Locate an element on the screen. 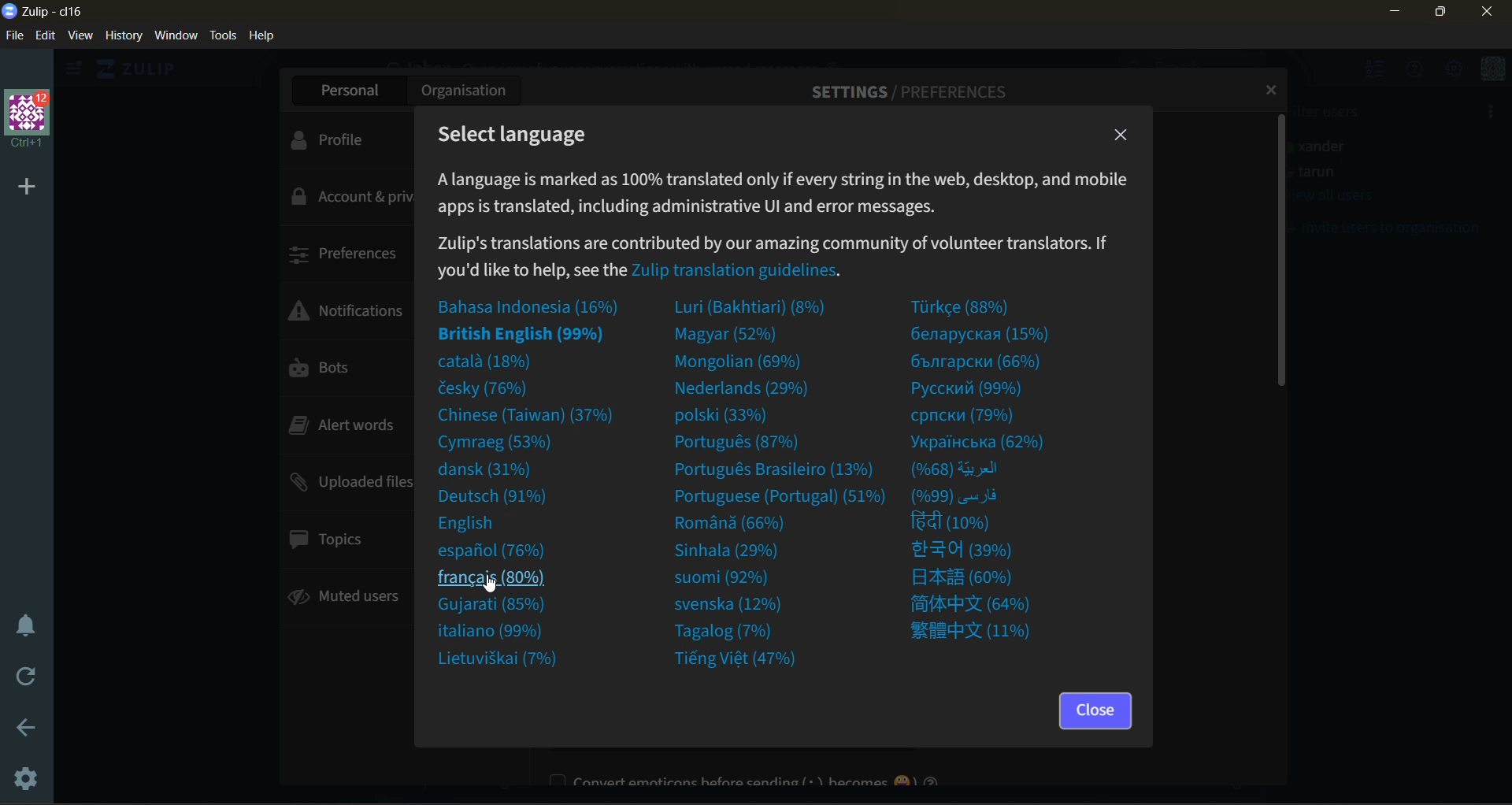 The image size is (1512, 805). tieng viet is located at coordinates (732, 660).